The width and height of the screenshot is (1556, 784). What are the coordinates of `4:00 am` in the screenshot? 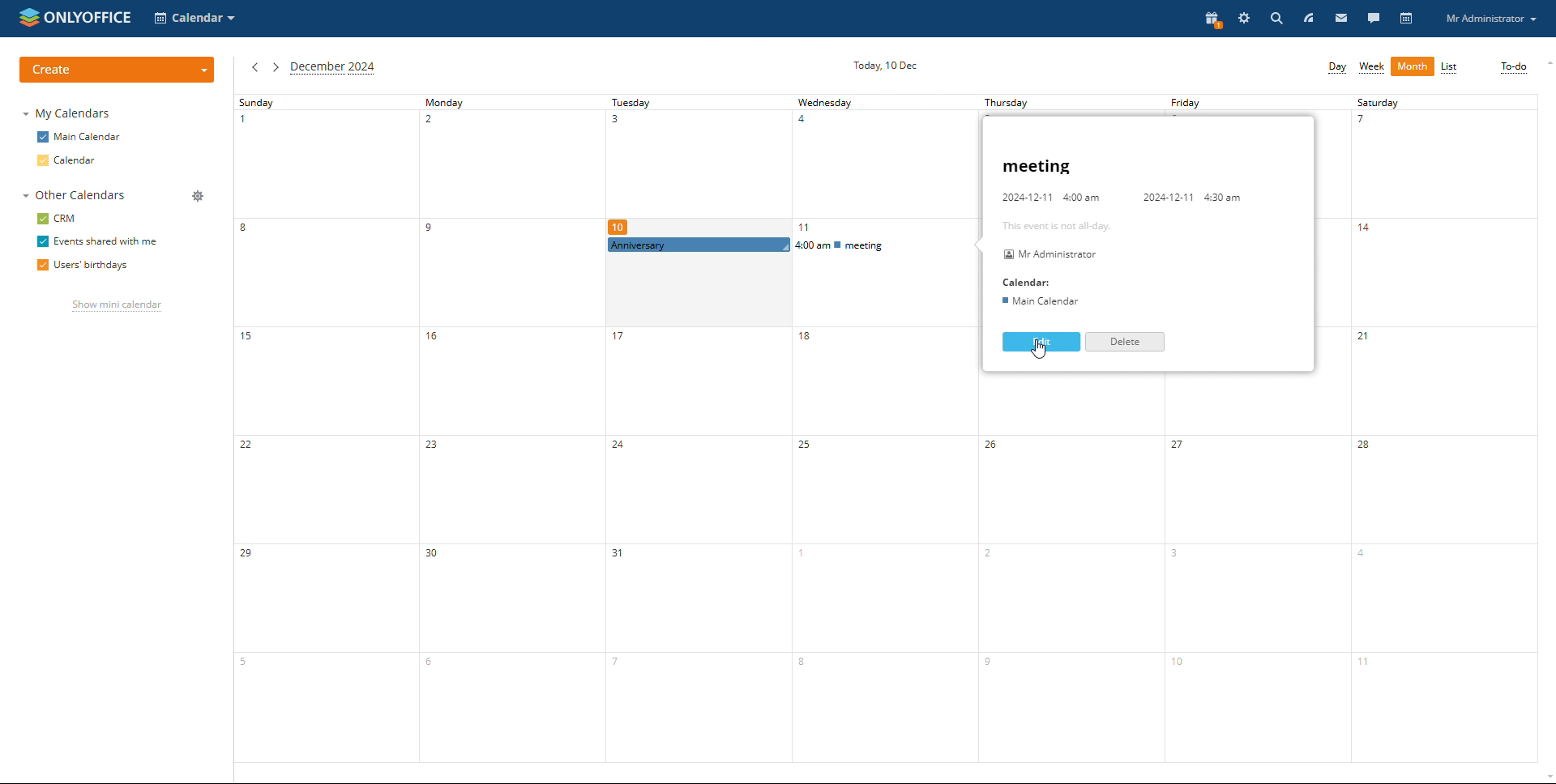 It's located at (1085, 198).